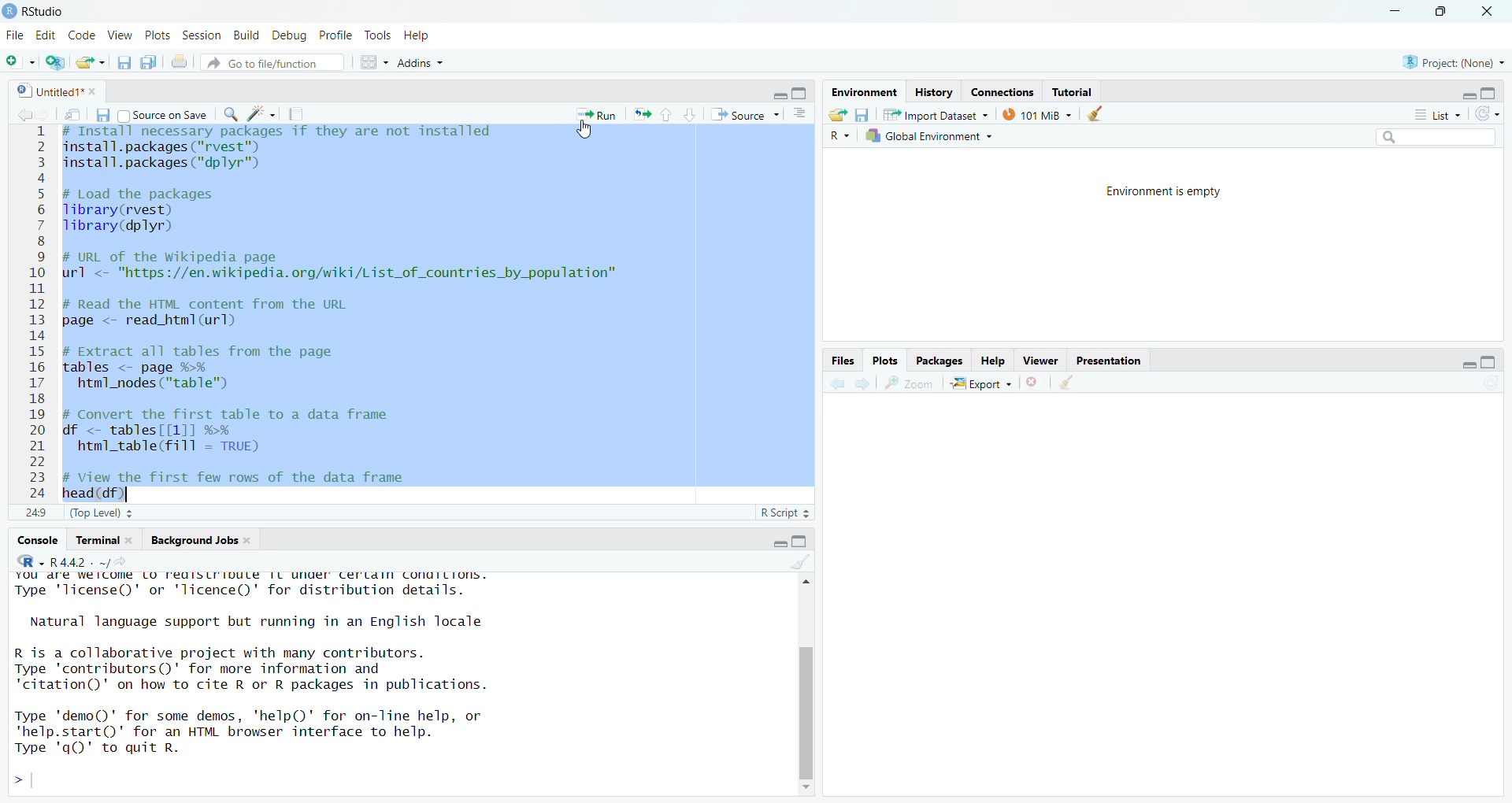  What do you see at coordinates (150, 62) in the screenshot?
I see `save all` at bounding box center [150, 62].